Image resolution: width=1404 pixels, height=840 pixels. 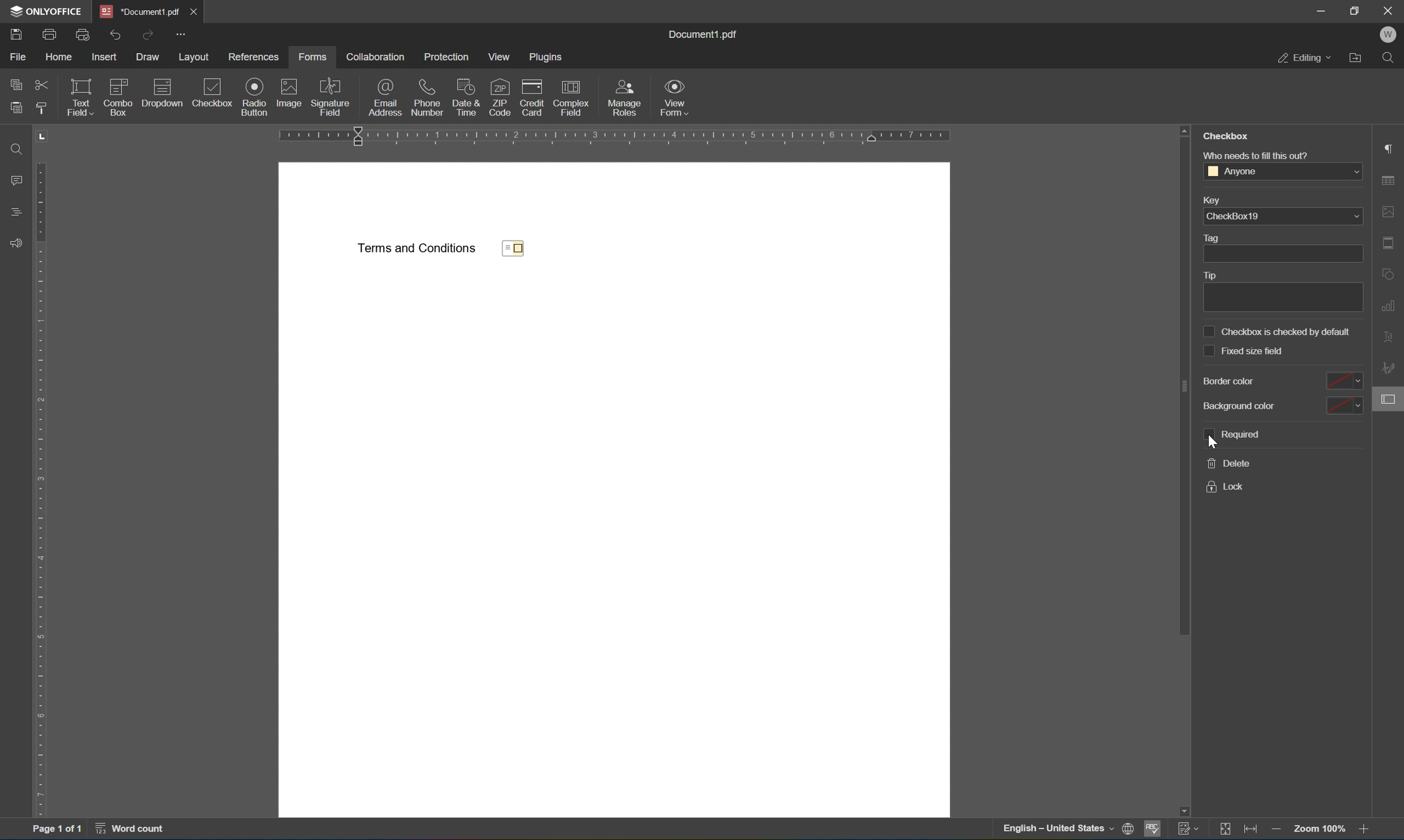 What do you see at coordinates (16, 211) in the screenshot?
I see `headings` at bounding box center [16, 211].